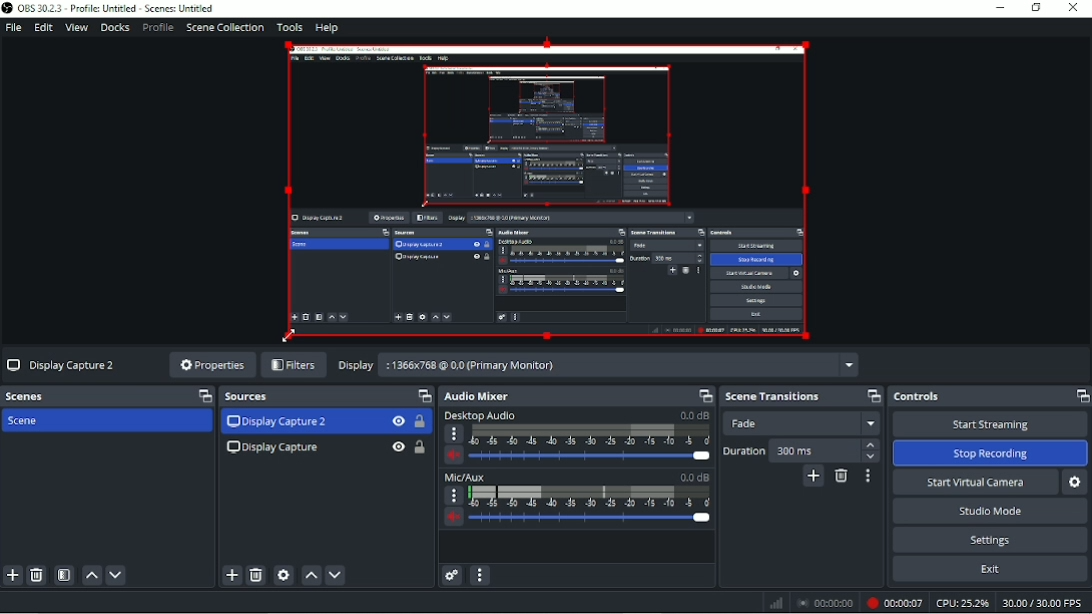 Image resolution: width=1092 pixels, height=614 pixels. Describe the element at coordinates (158, 29) in the screenshot. I see `Profile` at that location.